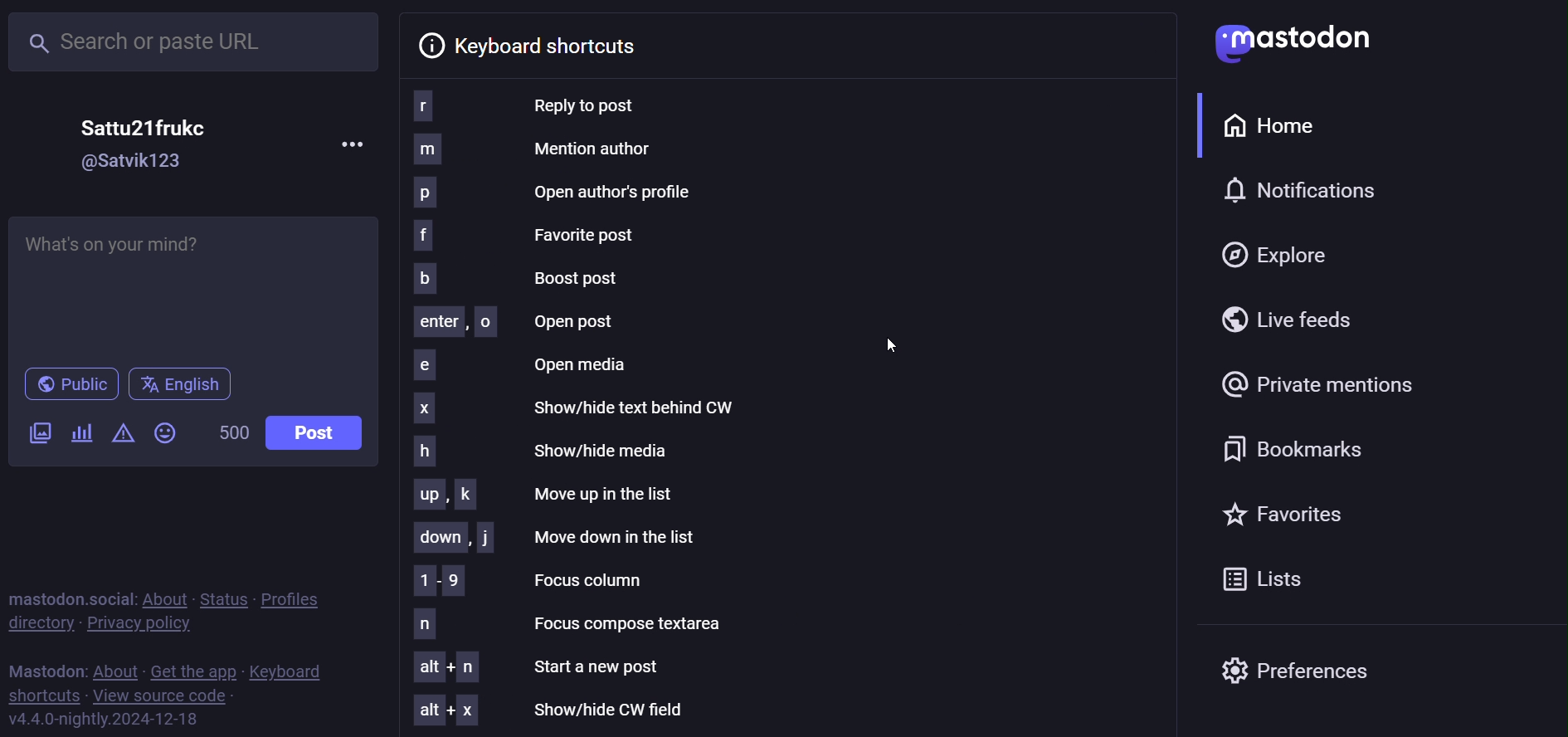 The width and height of the screenshot is (1568, 737). What do you see at coordinates (195, 287) in the screenshot?
I see `whats on your mind` at bounding box center [195, 287].